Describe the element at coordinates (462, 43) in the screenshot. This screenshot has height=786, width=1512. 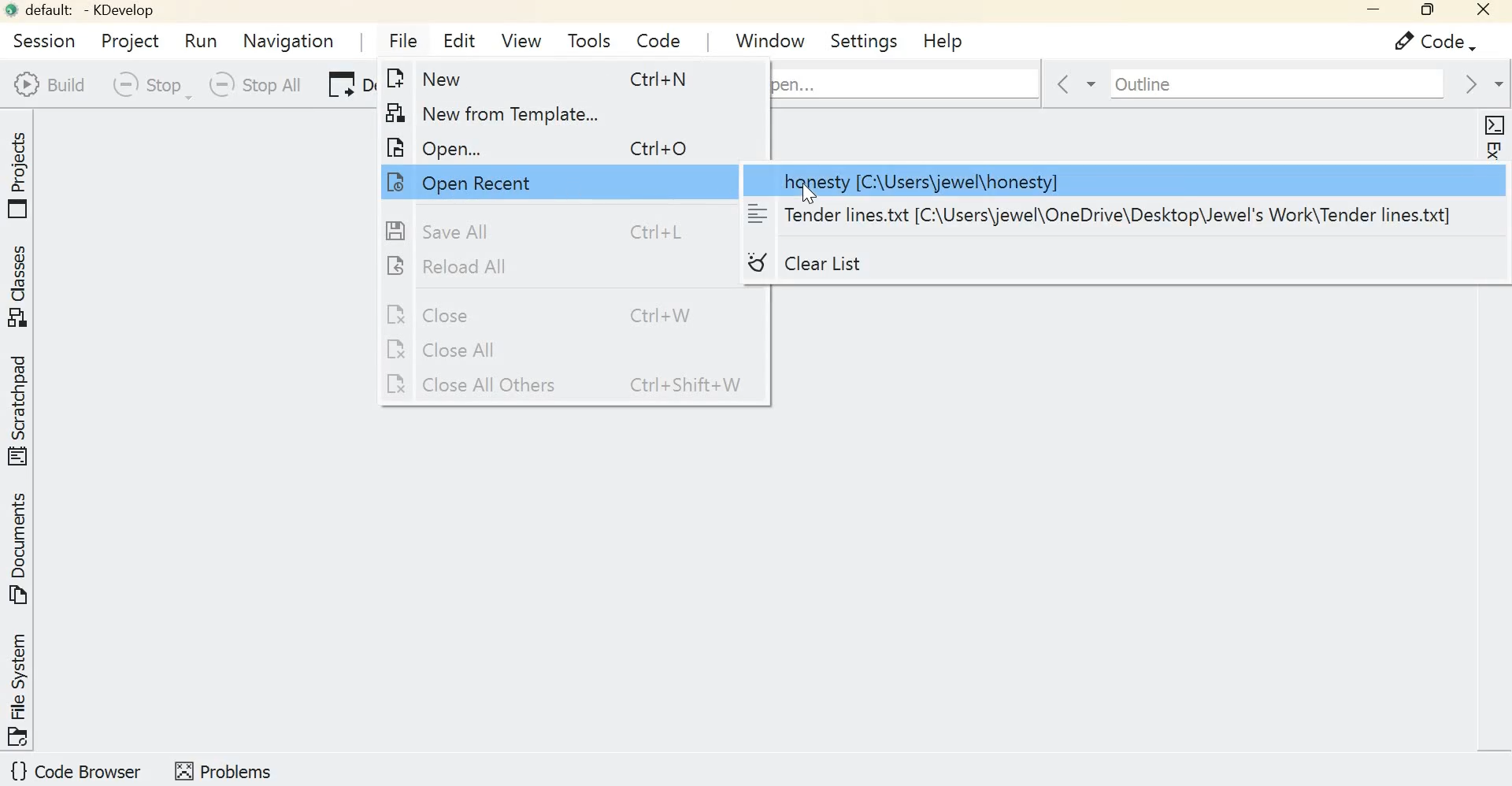
I see `Edit` at that location.